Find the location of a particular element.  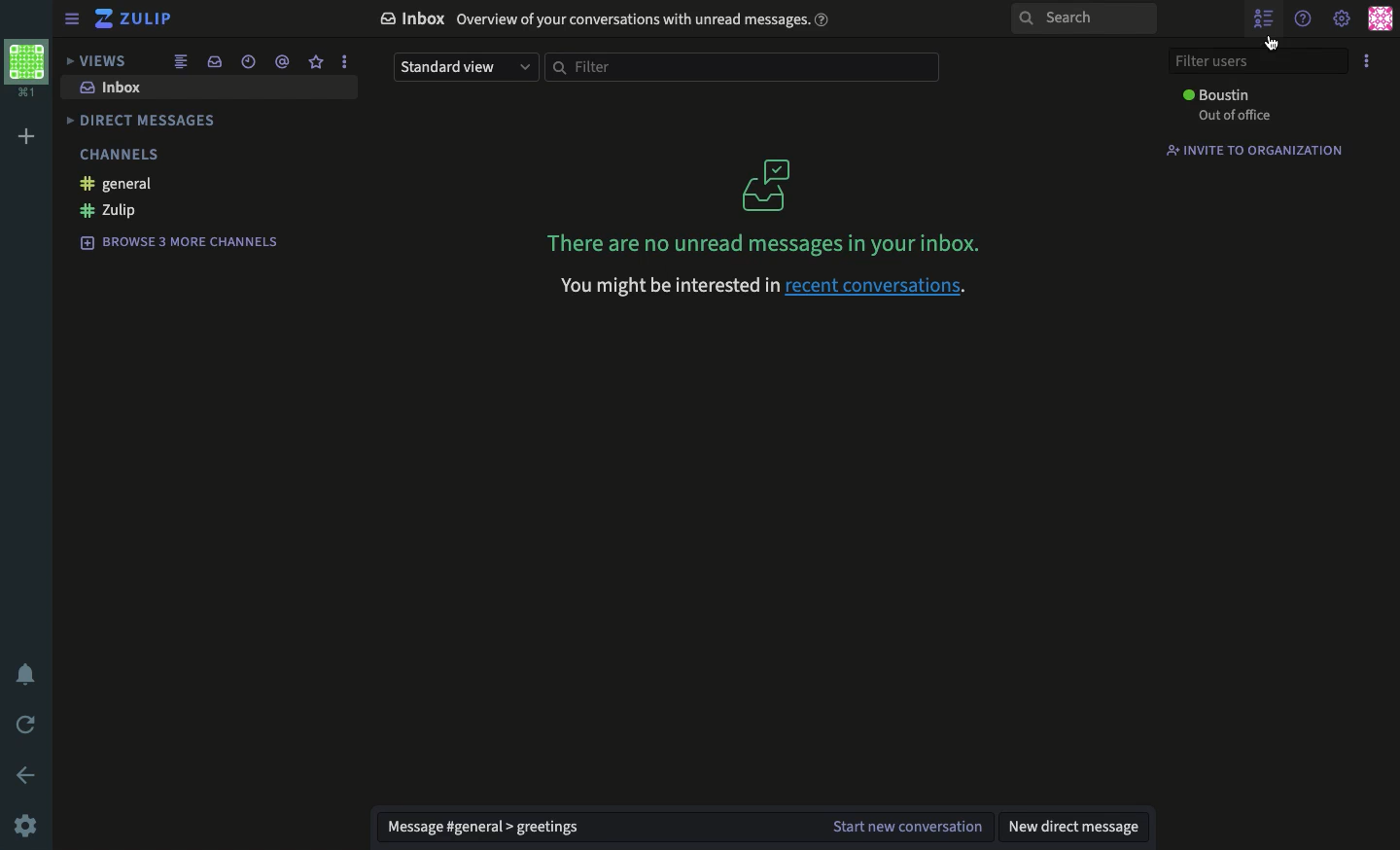

favorite is located at coordinates (315, 60).